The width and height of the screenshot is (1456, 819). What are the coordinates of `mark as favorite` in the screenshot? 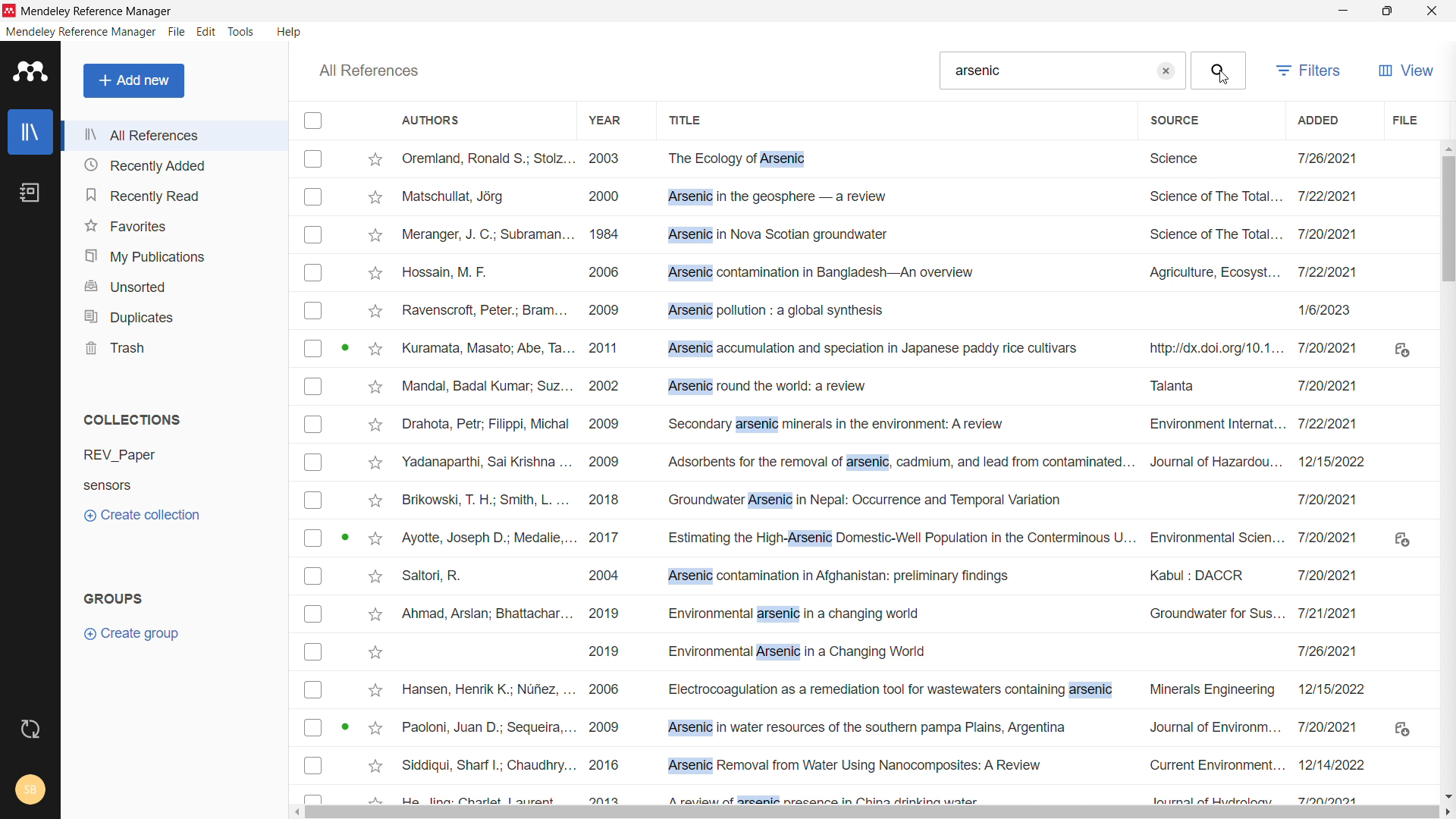 It's located at (376, 159).